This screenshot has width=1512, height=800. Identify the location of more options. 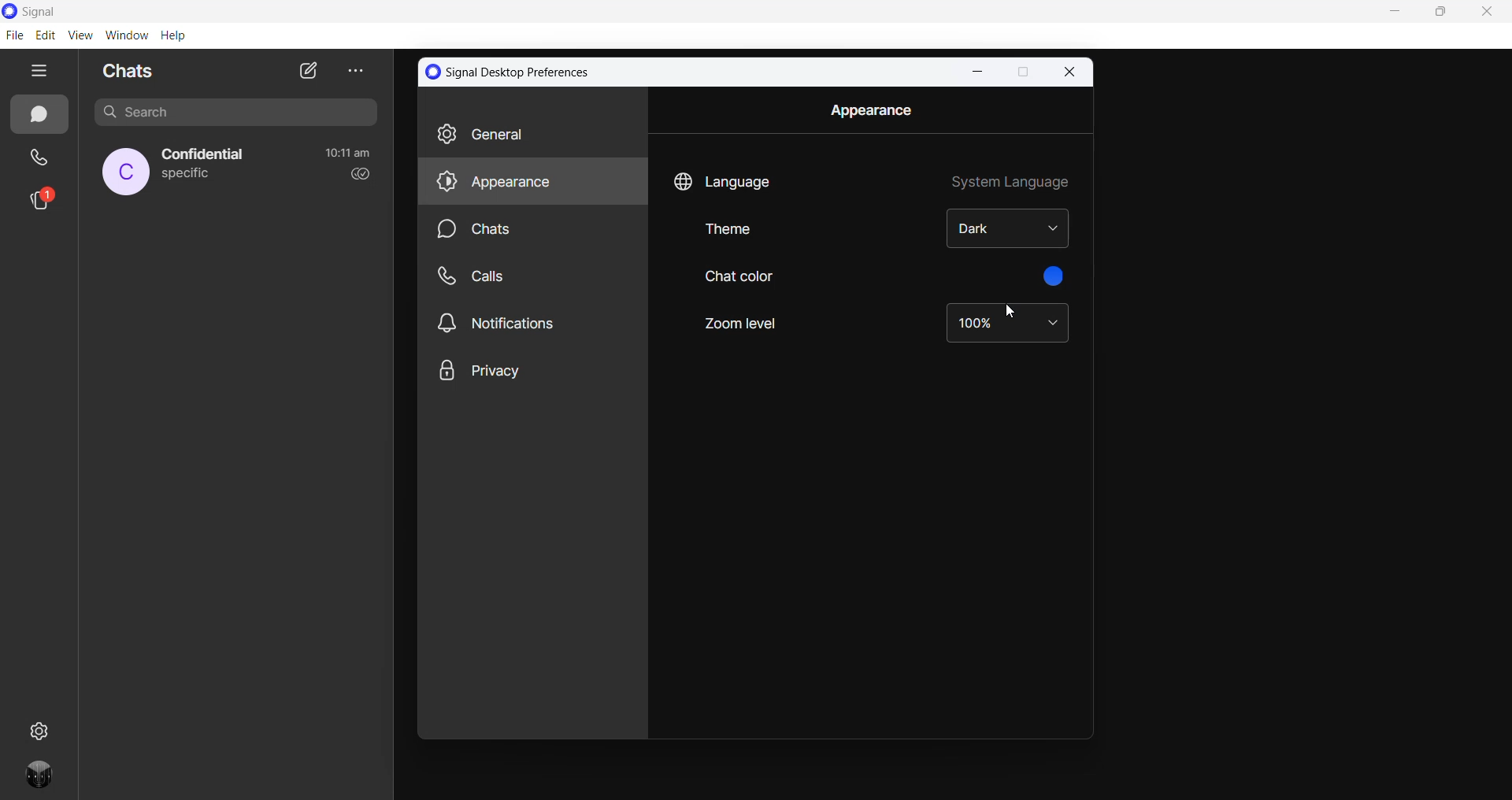
(353, 70).